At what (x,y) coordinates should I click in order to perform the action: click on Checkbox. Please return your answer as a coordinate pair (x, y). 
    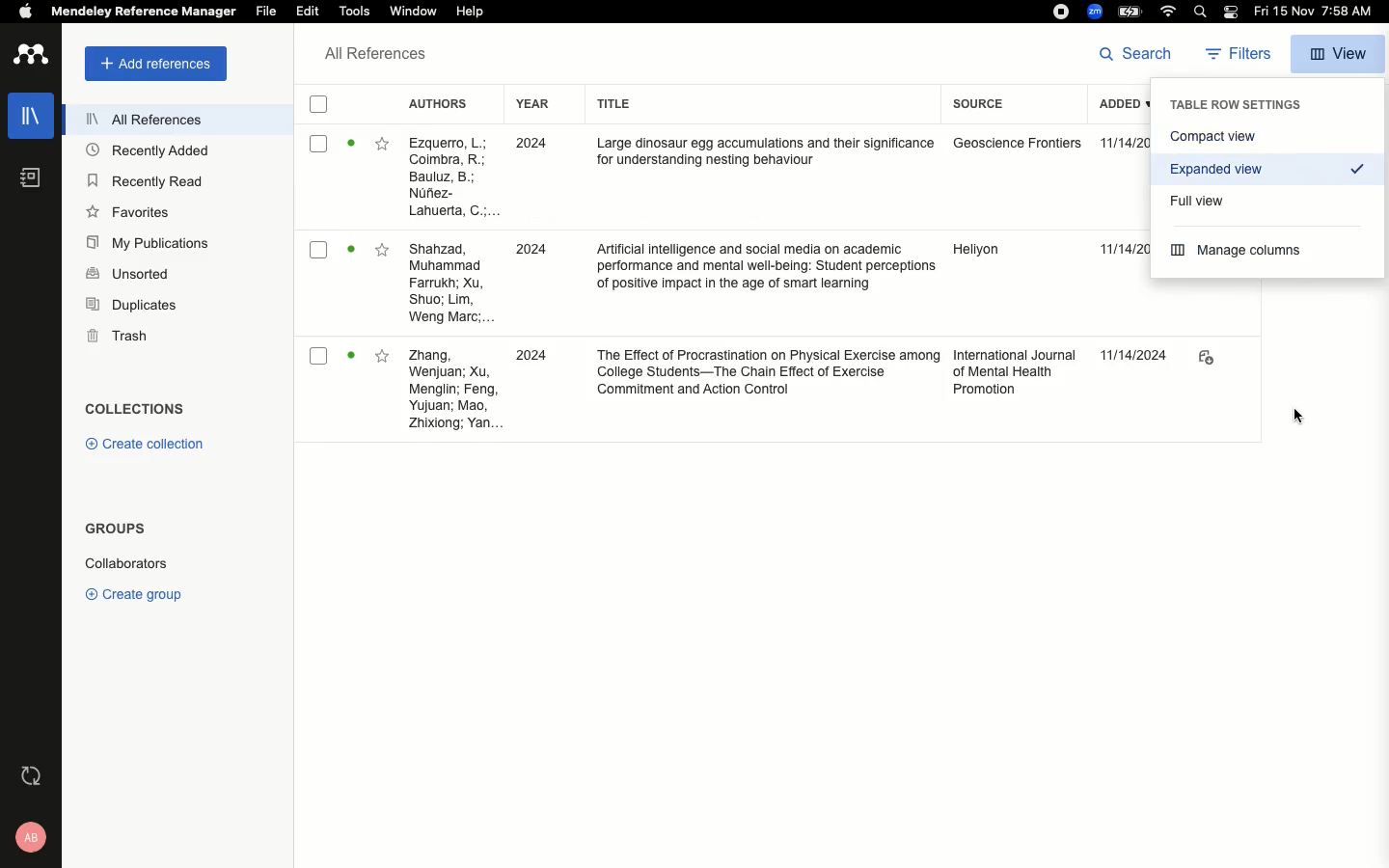
    Looking at the image, I should click on (321, 356).